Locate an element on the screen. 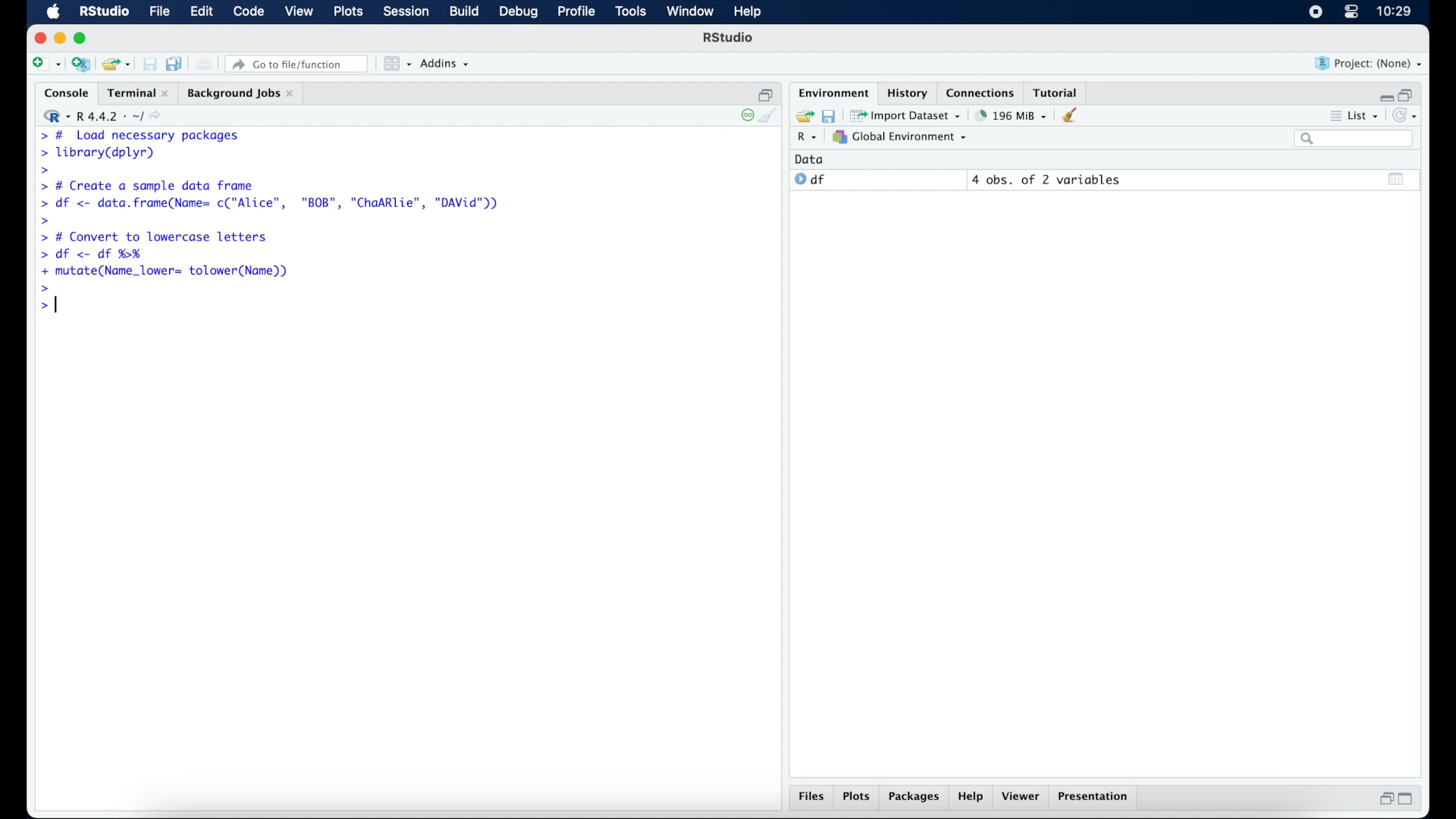 This screenshot has height=819, width=1456. command prompt is located at coordinates (45, 288).